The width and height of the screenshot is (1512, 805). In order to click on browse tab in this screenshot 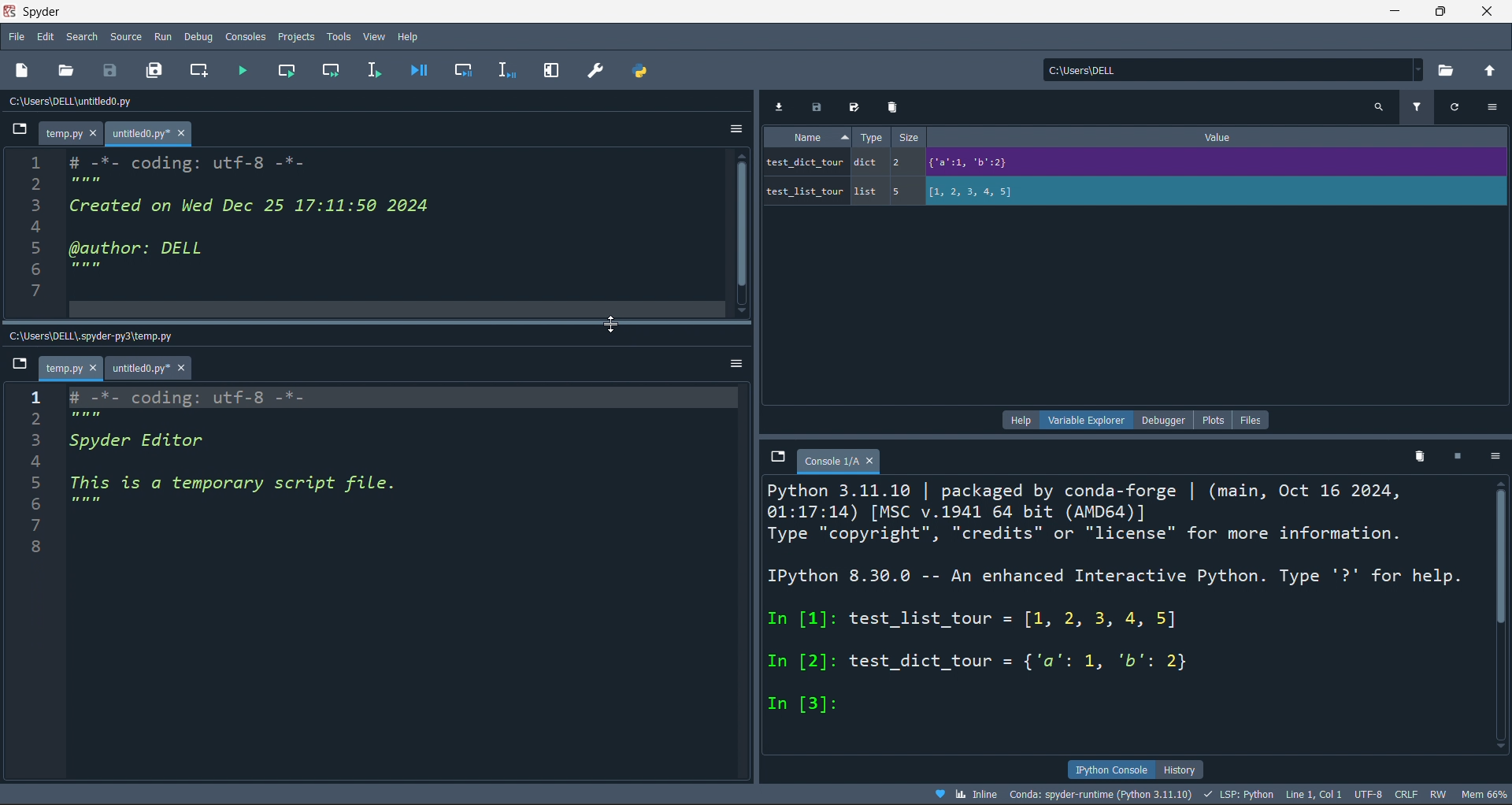, I will do `click(20, 365)`.